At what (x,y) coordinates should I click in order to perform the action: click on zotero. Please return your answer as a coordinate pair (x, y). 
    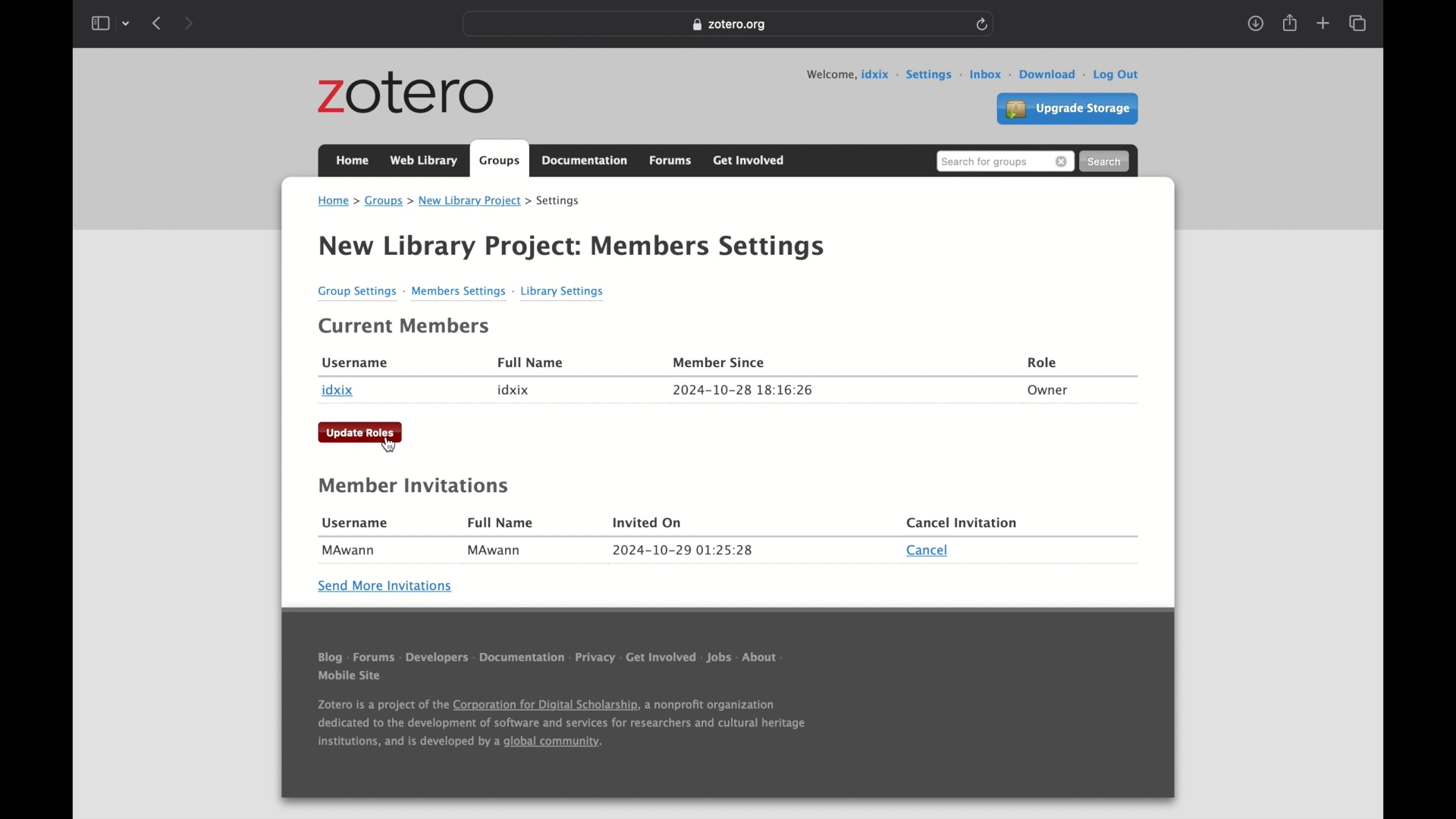
    Looking at the image, I should click on (408, 95).